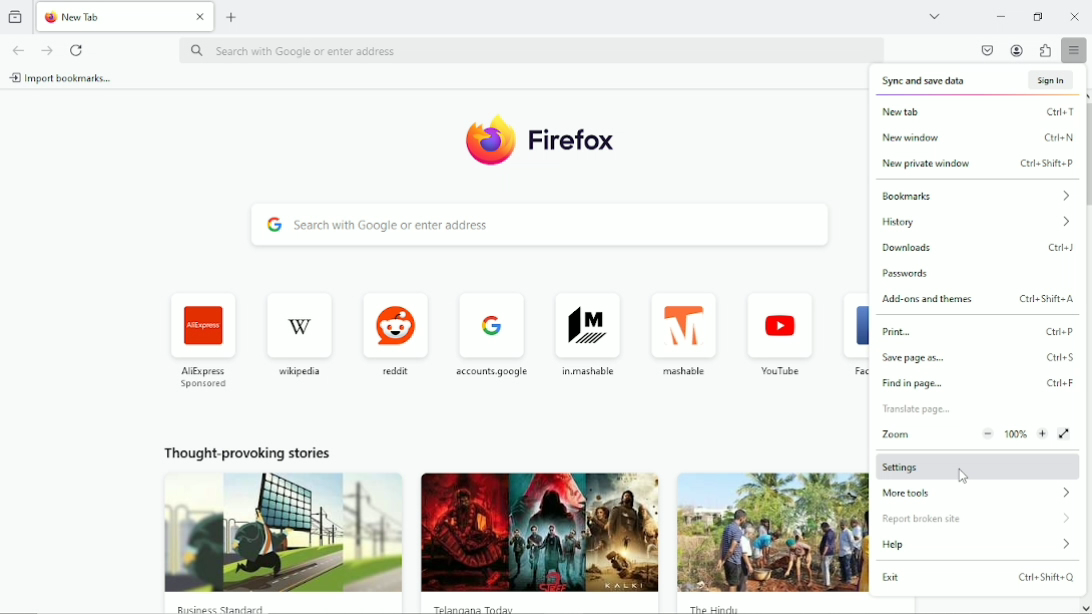  What do you see at coordinates (1017, 50) in the screenshot?
I see `account` at bounding box center [1017, 50].